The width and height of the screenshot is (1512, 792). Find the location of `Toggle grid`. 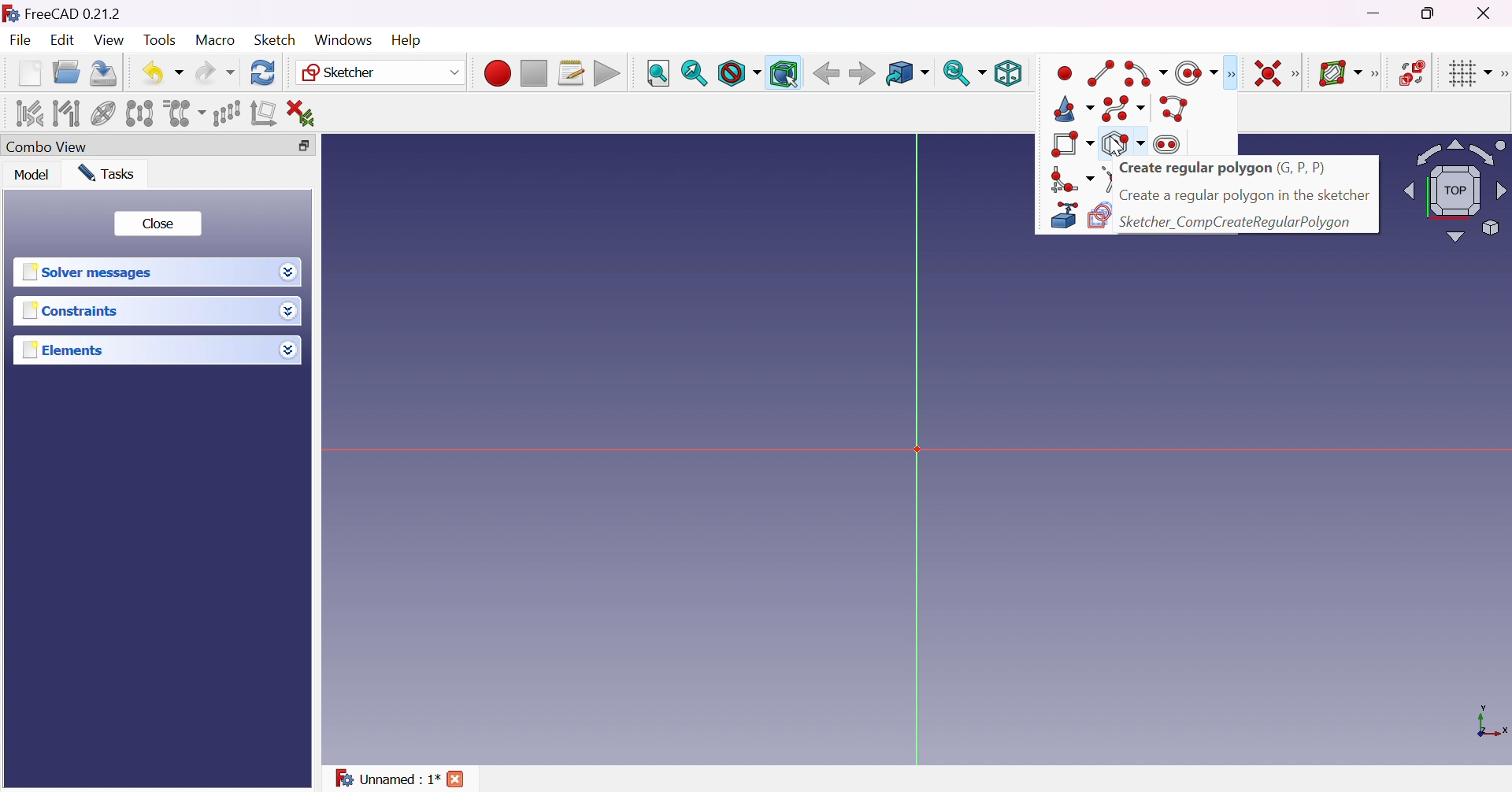

Toggle grid is located at coordinates (1471, 74).